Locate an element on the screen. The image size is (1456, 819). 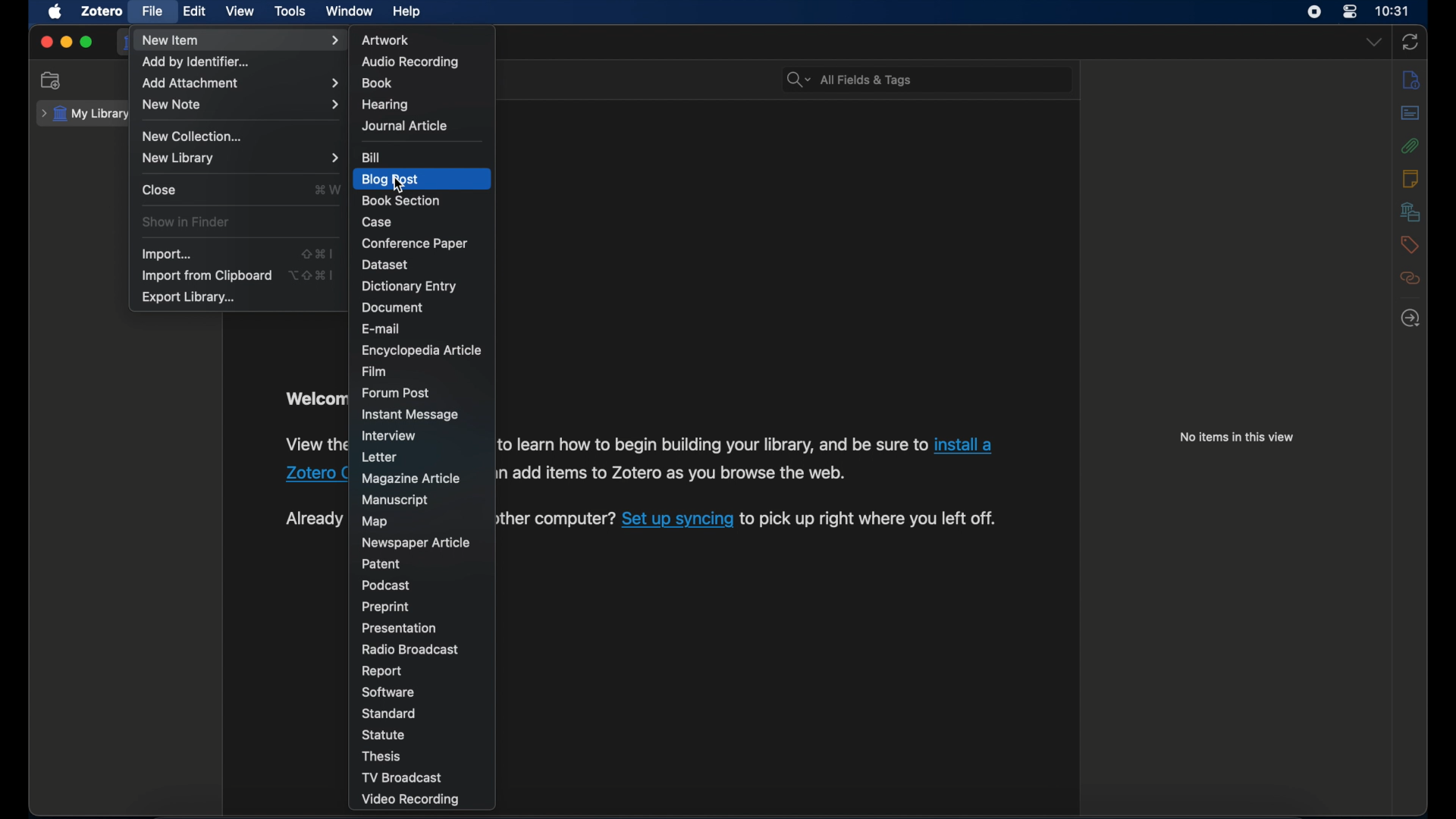
 is located at coordinates (713, 444).